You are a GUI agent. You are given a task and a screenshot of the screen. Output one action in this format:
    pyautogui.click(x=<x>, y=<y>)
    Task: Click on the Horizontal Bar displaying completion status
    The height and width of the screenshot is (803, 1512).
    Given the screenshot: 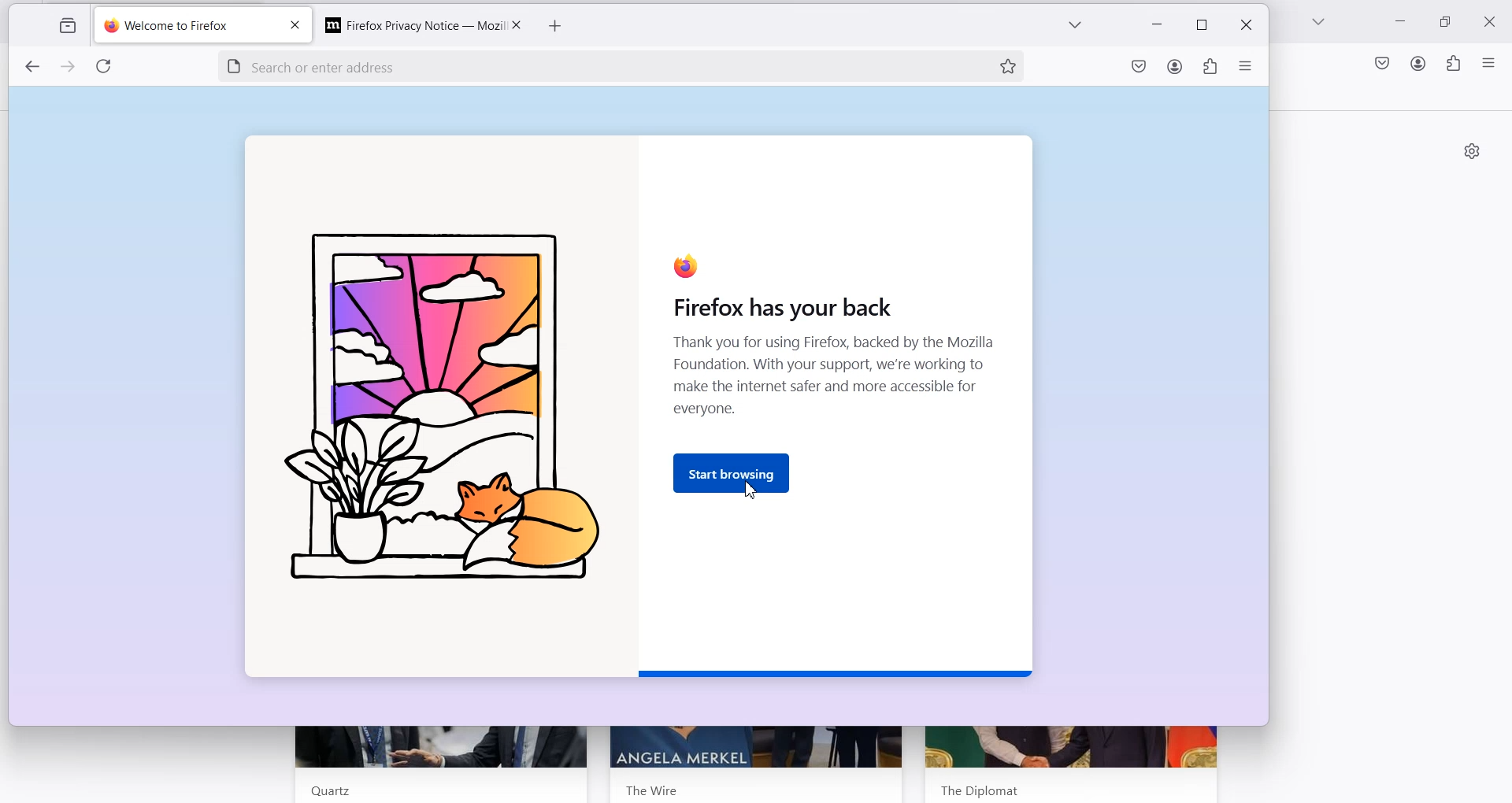 What is the action you would take?
    pyautogui.click(x=837, y=673)
    